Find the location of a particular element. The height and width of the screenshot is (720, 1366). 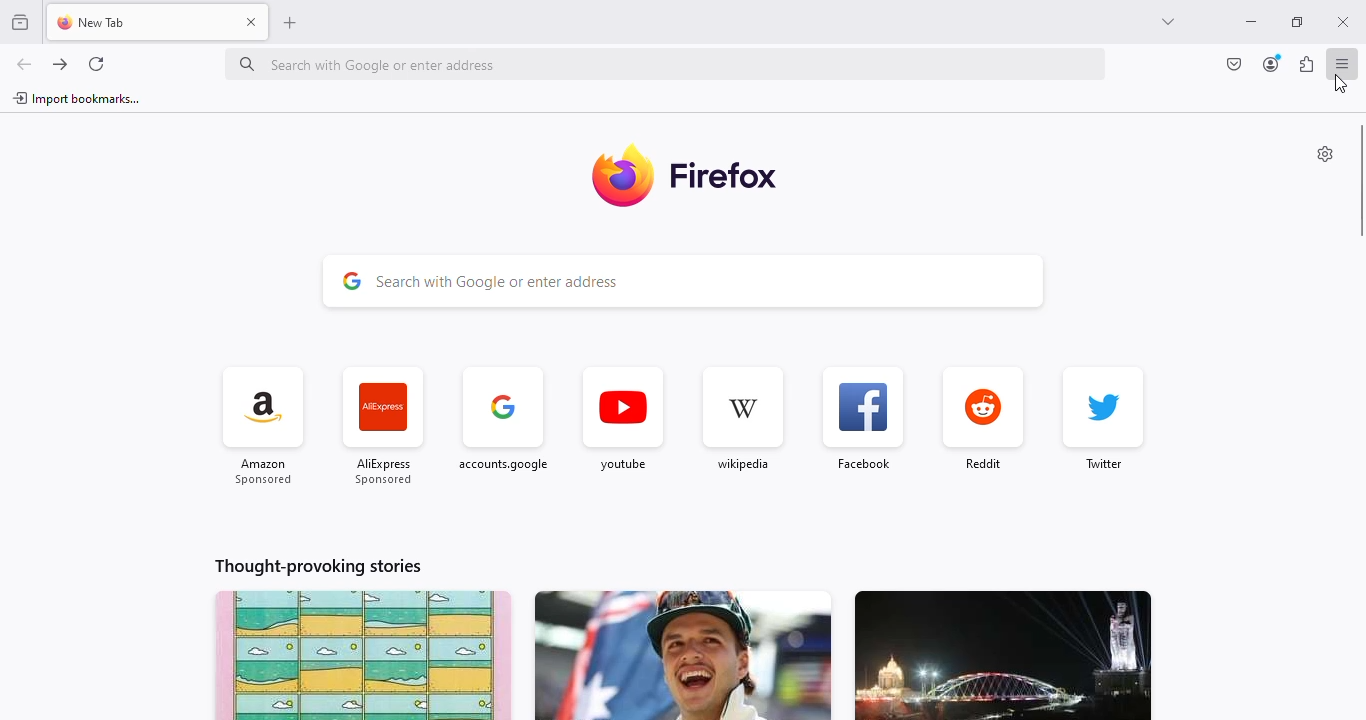

import bookmarks is located at coordinates (78, 98).